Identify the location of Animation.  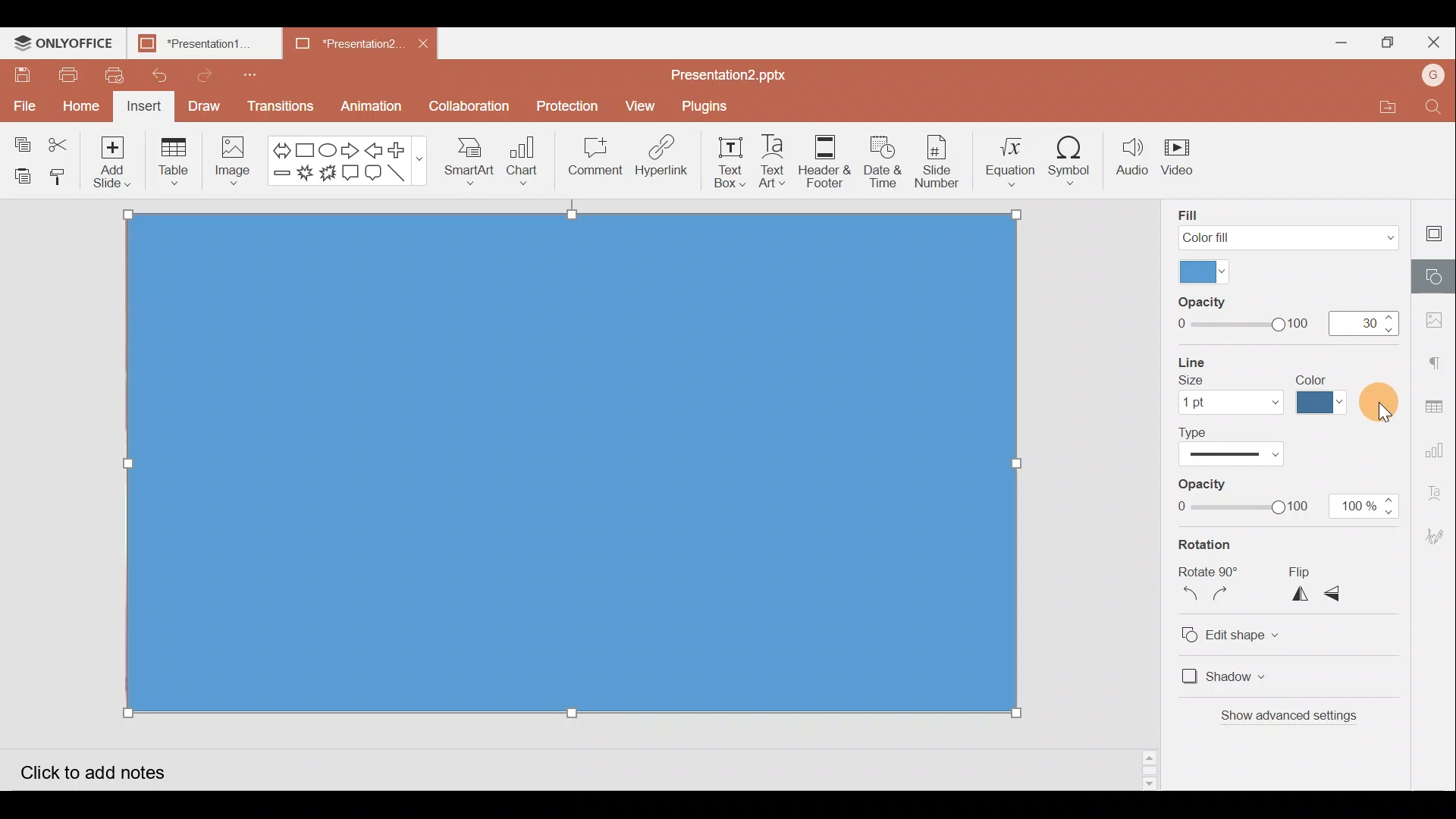
(377, 103).